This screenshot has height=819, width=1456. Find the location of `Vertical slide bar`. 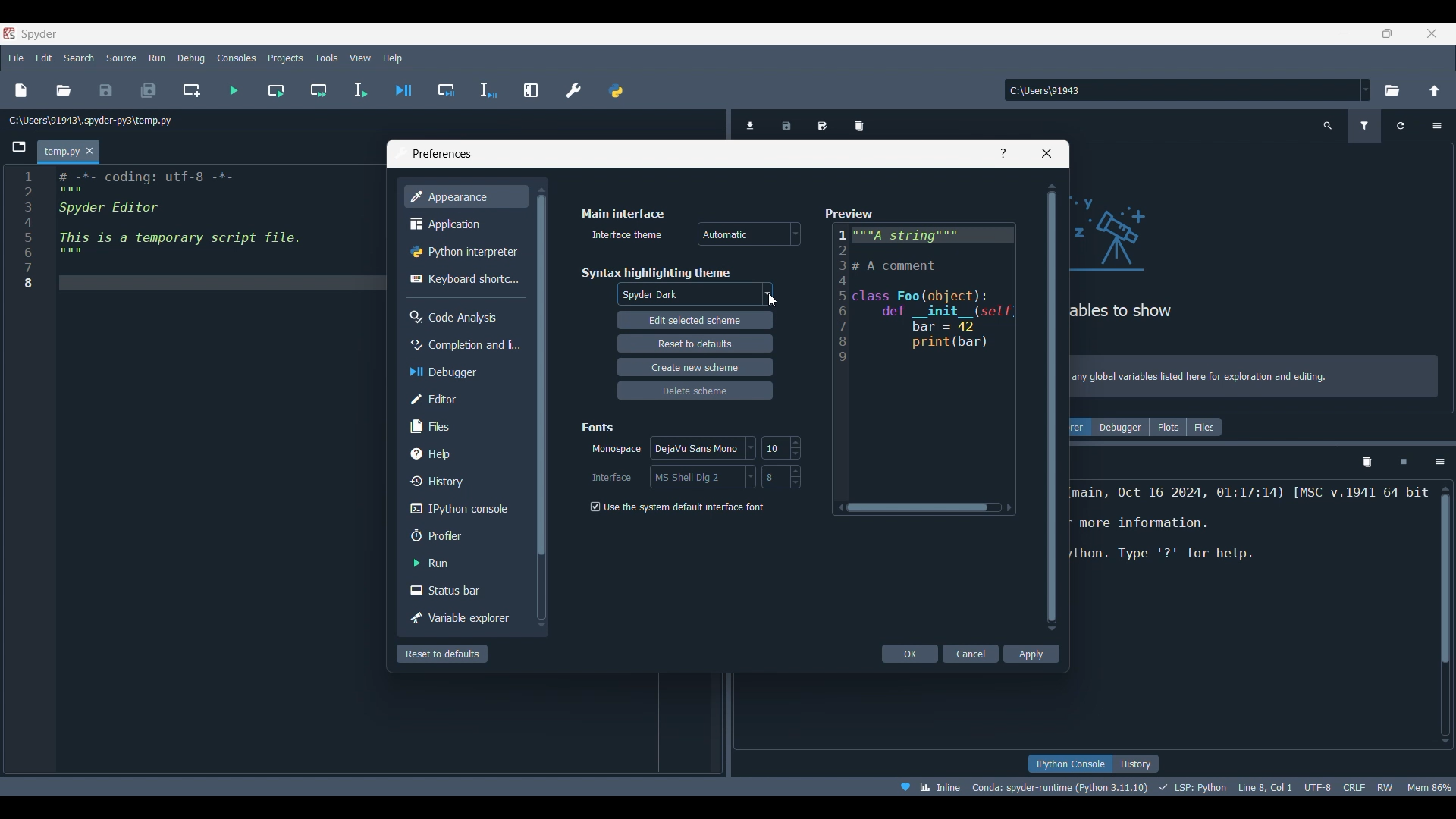

Vertical slide bar is located at coordinates (1052, 406).